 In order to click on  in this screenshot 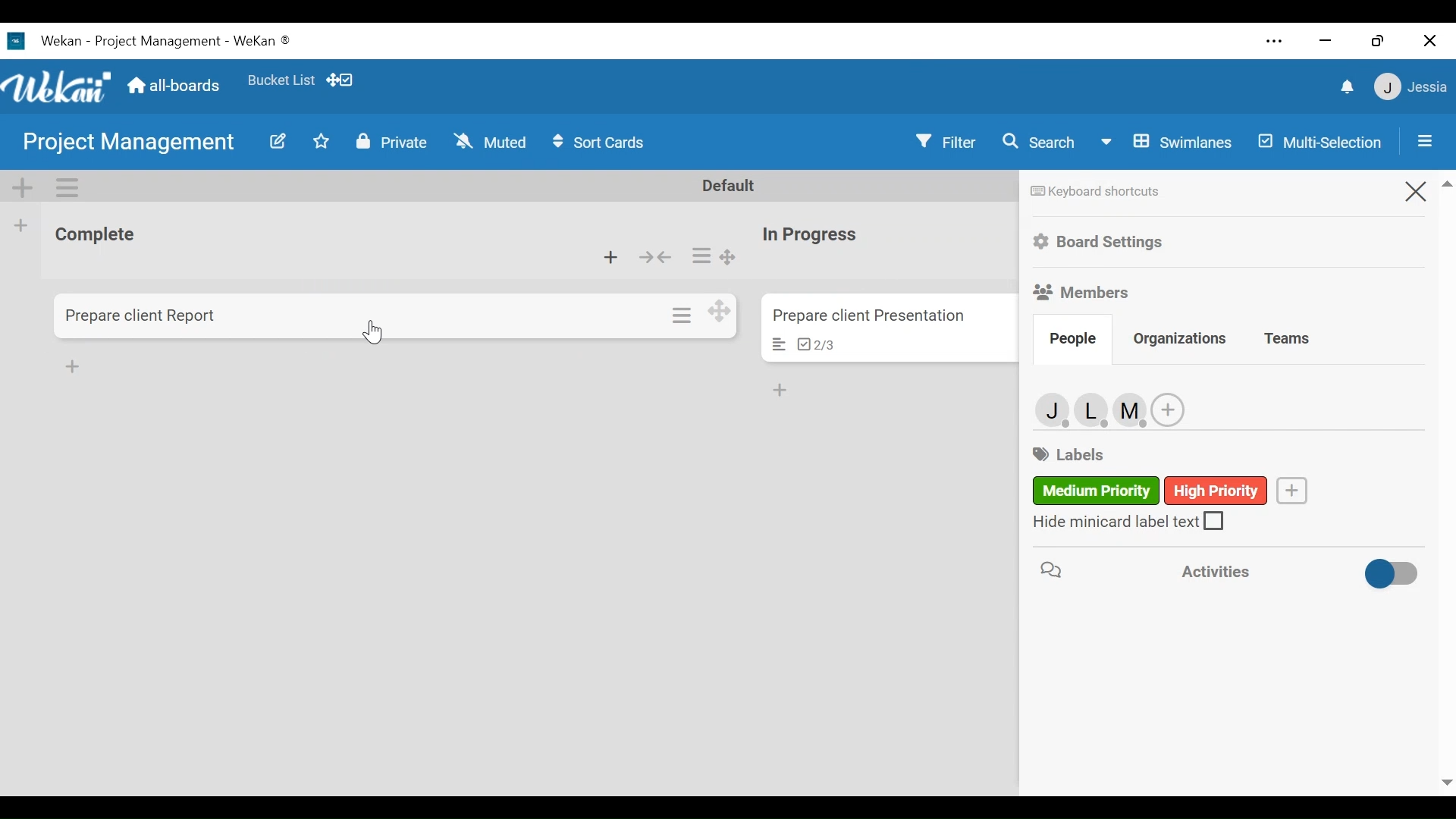, I will do `click(700, 257)`.